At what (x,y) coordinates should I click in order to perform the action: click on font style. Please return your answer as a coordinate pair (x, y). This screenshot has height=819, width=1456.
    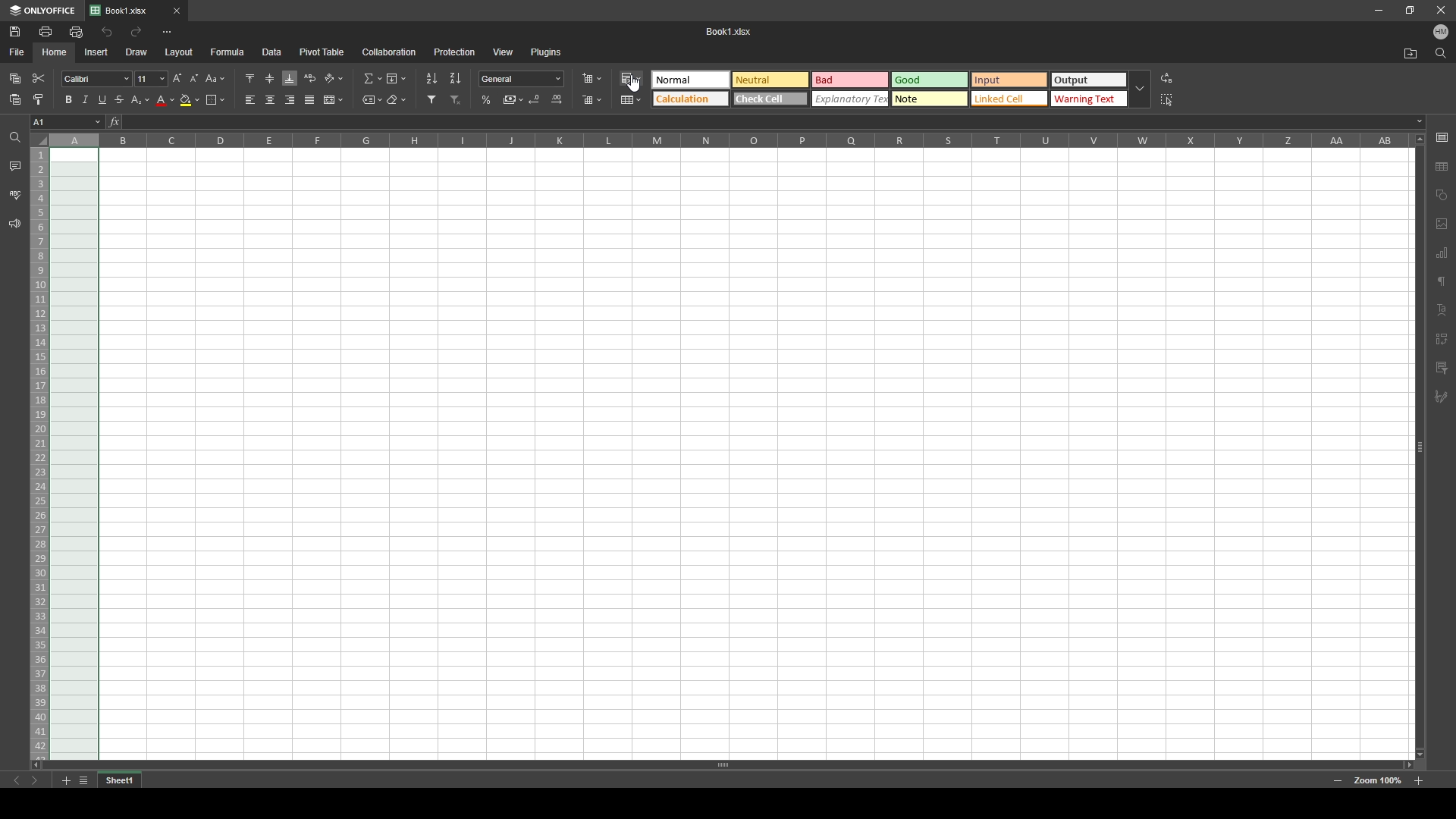
    Looking at the image, I should click on (96, 80).